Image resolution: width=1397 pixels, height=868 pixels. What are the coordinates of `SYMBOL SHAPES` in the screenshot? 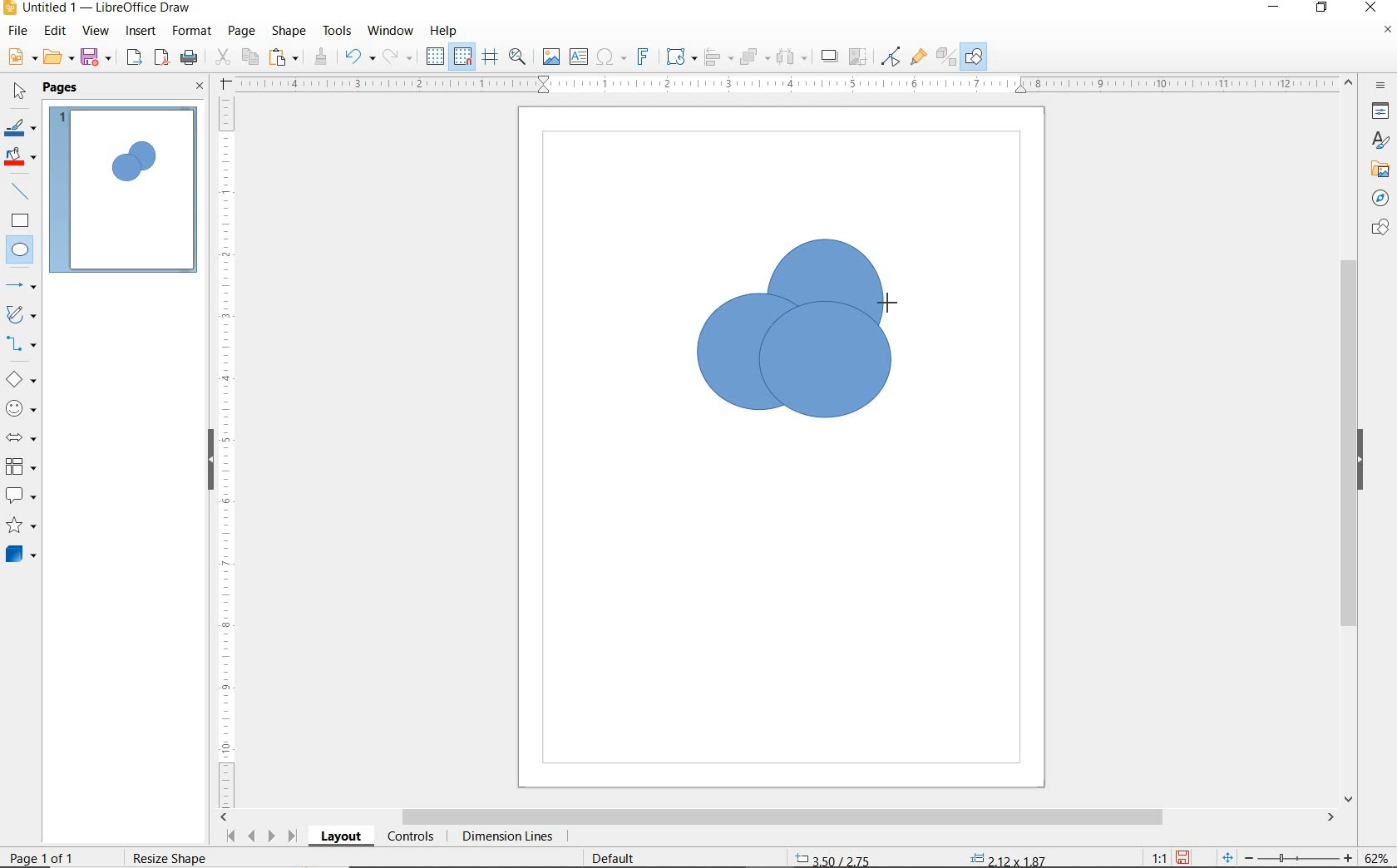 It's located at (22, 408).